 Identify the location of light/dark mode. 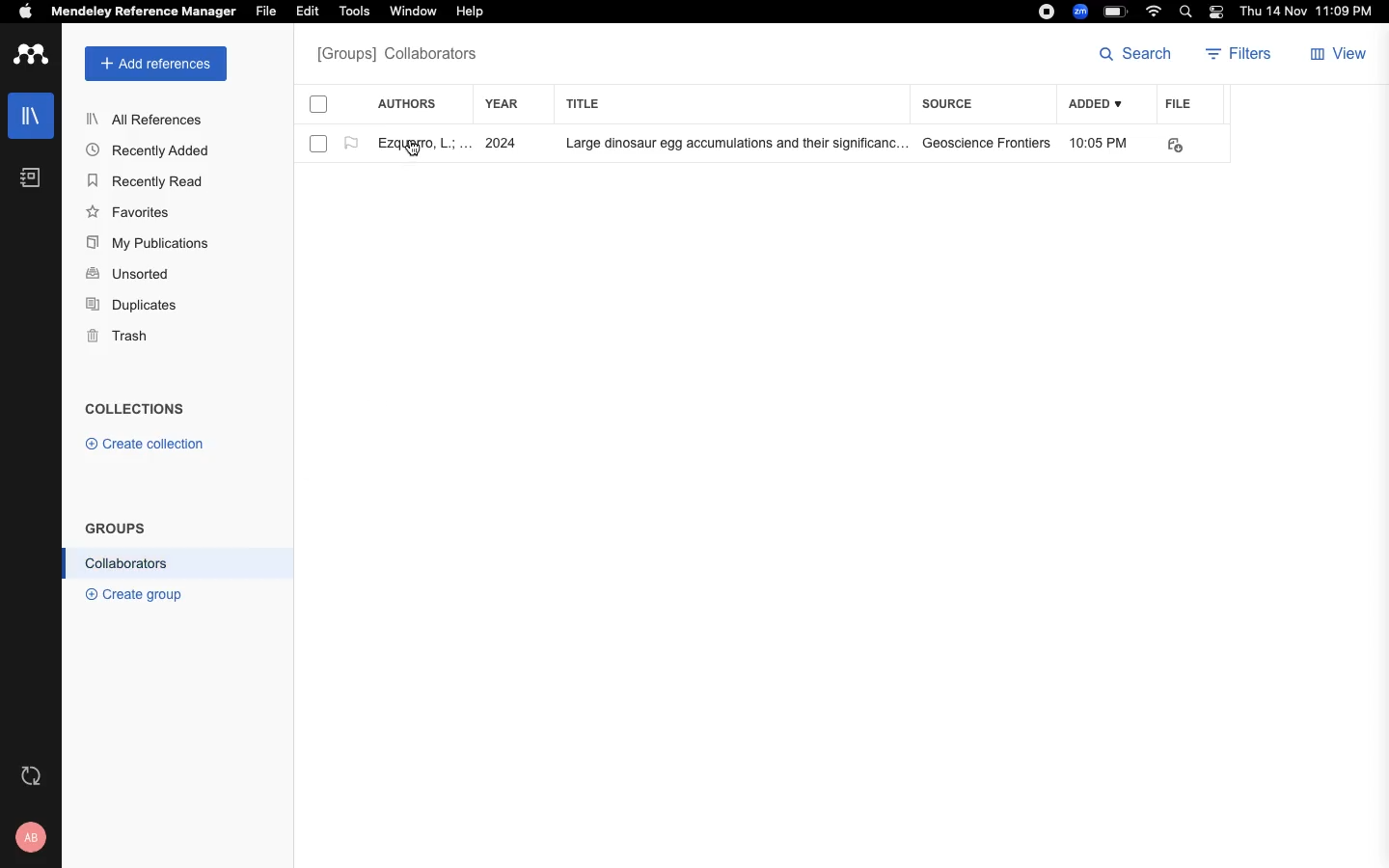
(1215, 12).